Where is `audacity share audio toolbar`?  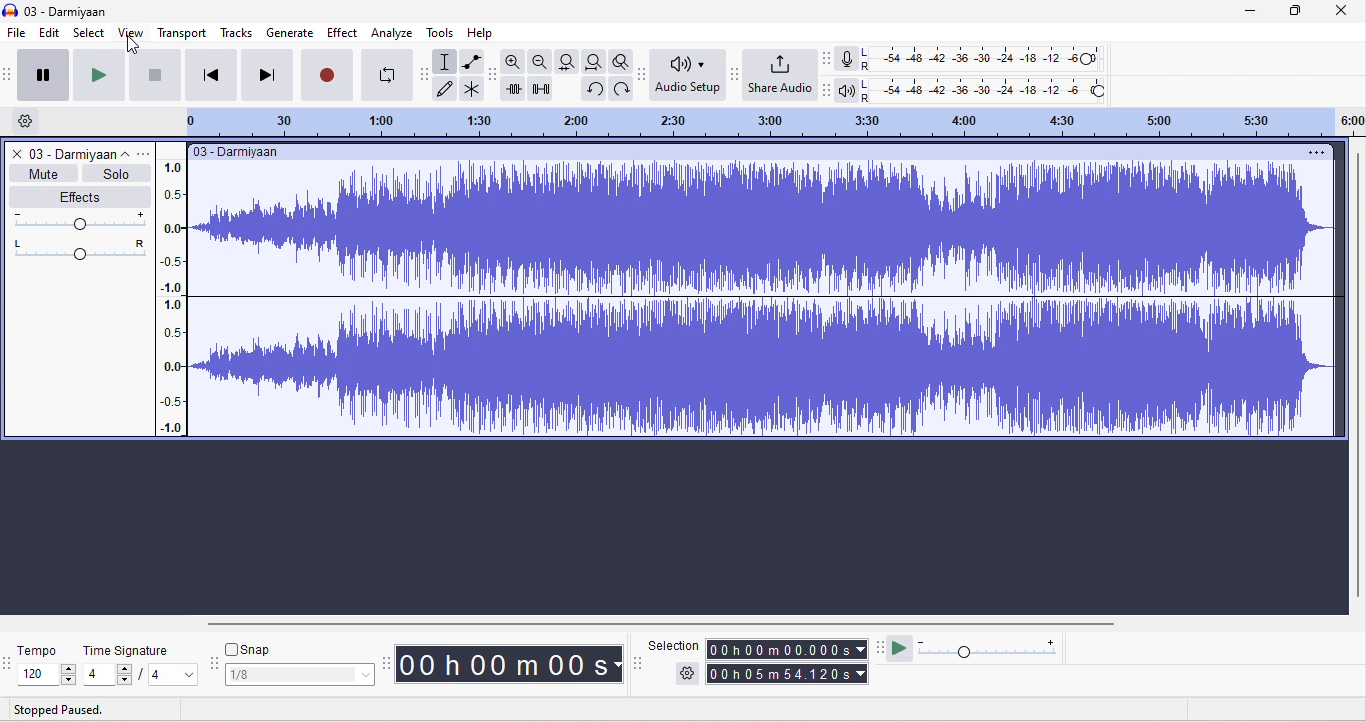 audacity share audio toolbar is located at coordinates (734, 73).